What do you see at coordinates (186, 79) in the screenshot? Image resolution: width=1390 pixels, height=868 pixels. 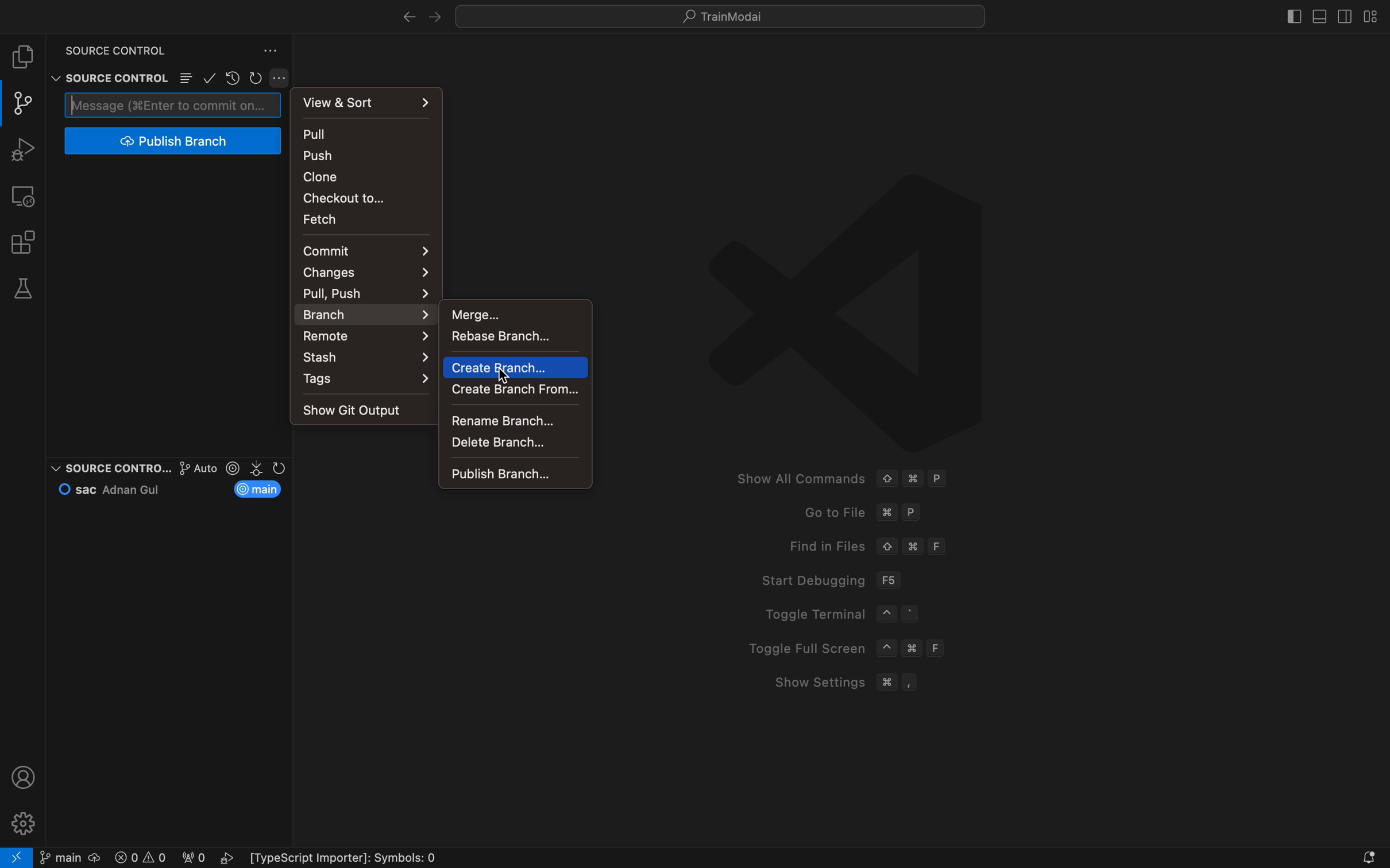 I see `` at bounding box center [186, 79].